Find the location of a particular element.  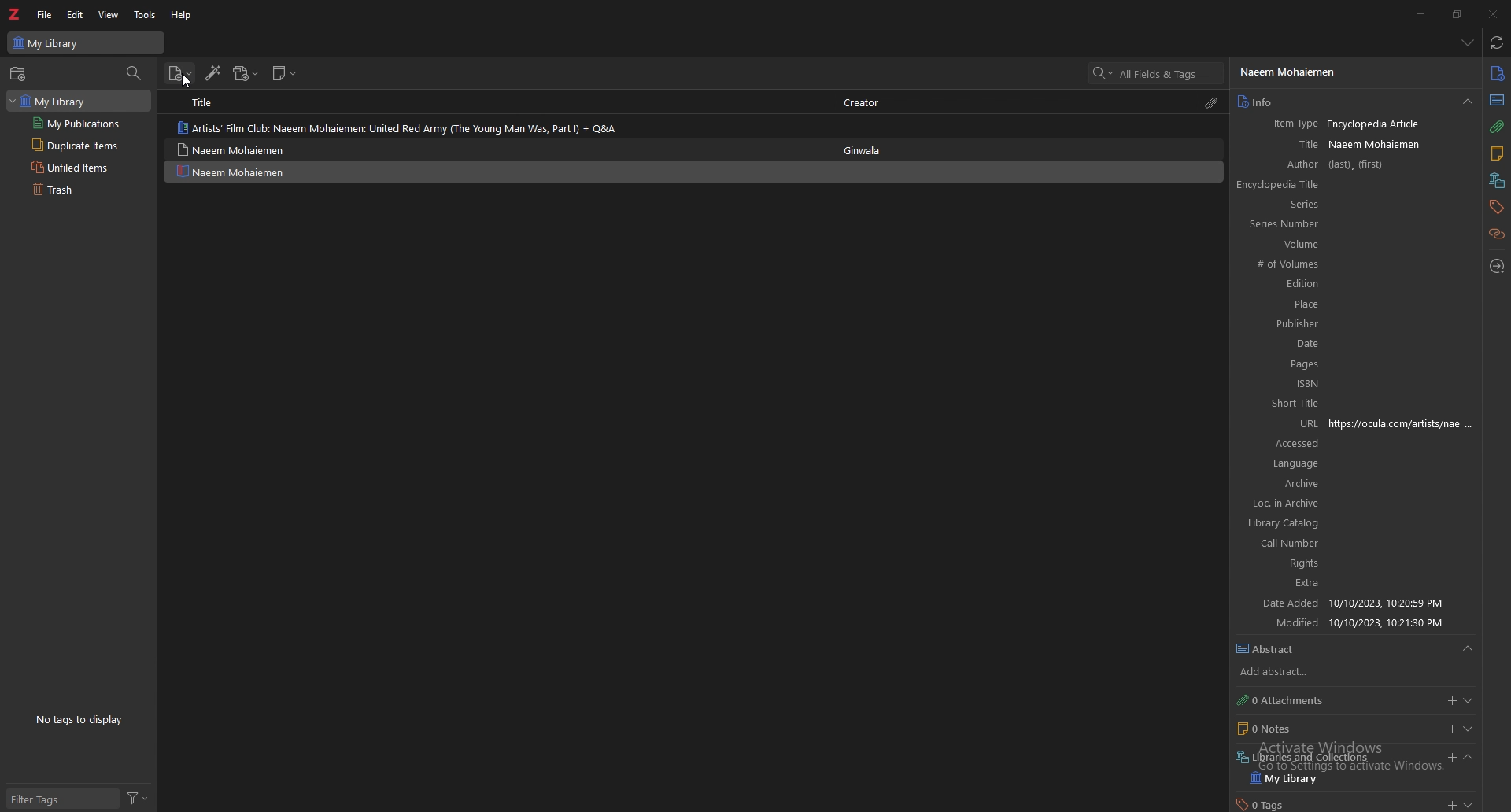

expand section is located at coordinates (1471, 729).